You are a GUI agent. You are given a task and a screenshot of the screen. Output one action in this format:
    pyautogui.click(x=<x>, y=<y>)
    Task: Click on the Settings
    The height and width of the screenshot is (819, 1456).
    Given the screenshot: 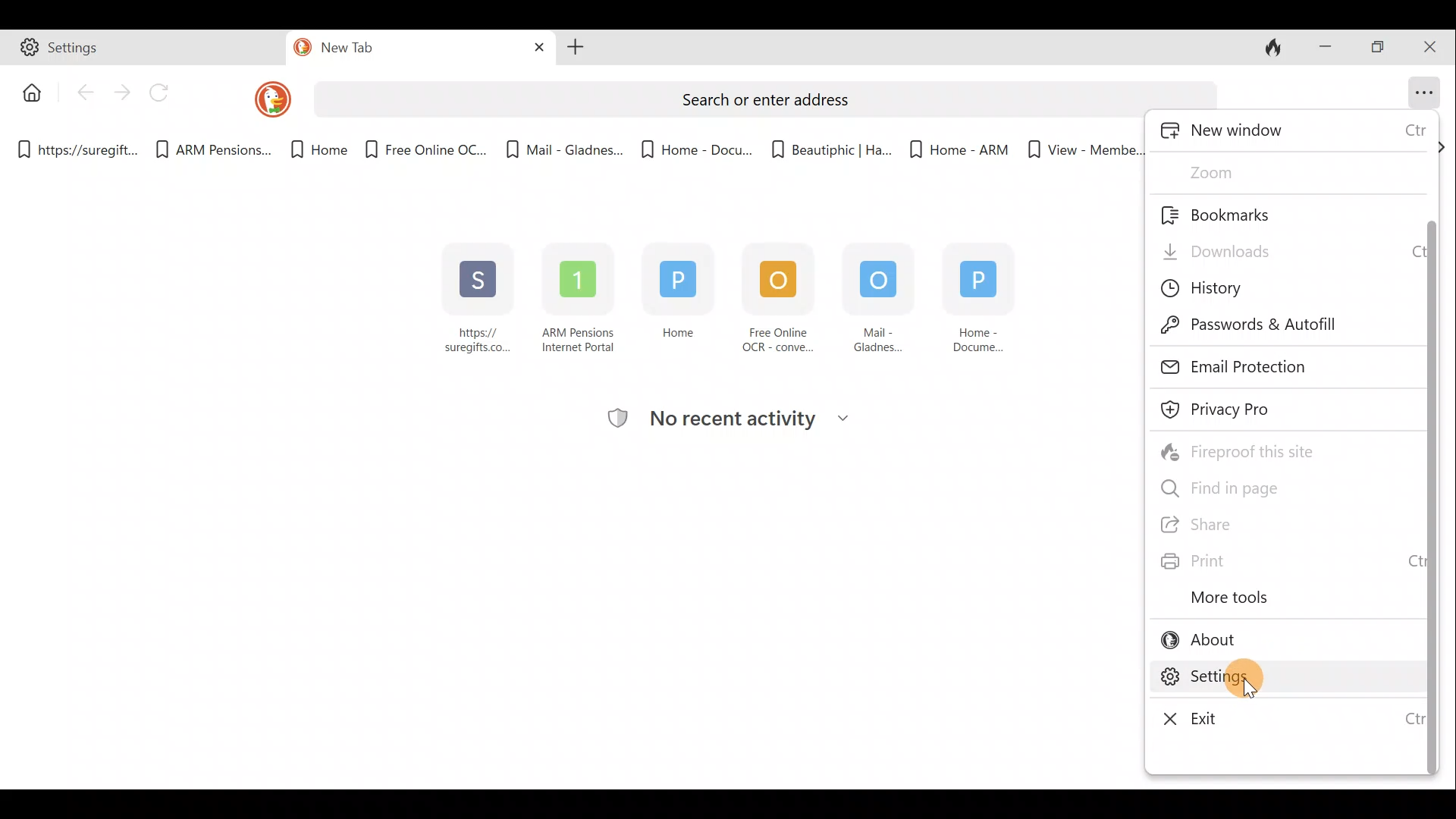 What is the action you would take?
    pyautogui.click(x=1267, y=676)
    